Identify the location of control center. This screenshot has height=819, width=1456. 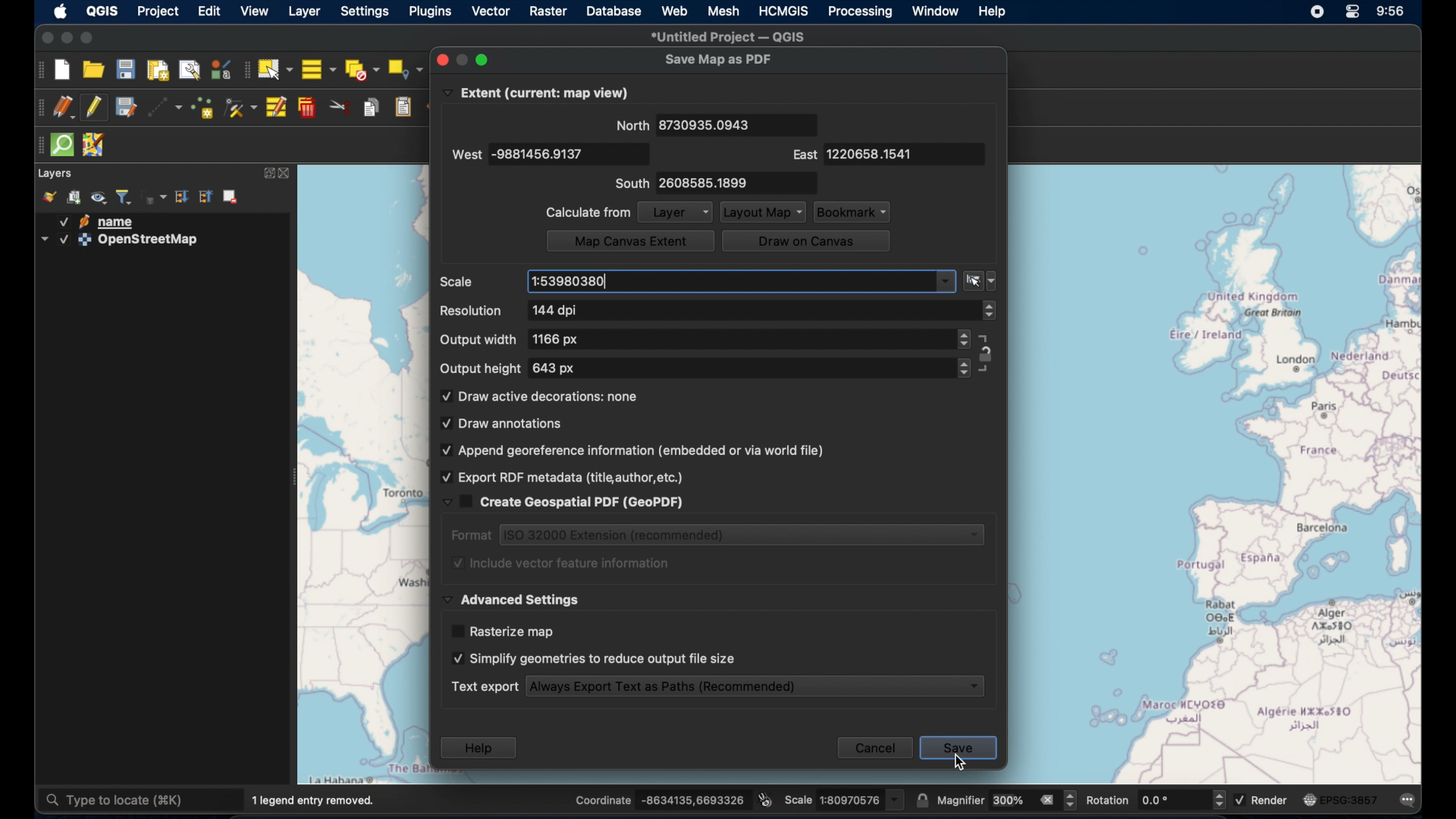
(1354, 11).